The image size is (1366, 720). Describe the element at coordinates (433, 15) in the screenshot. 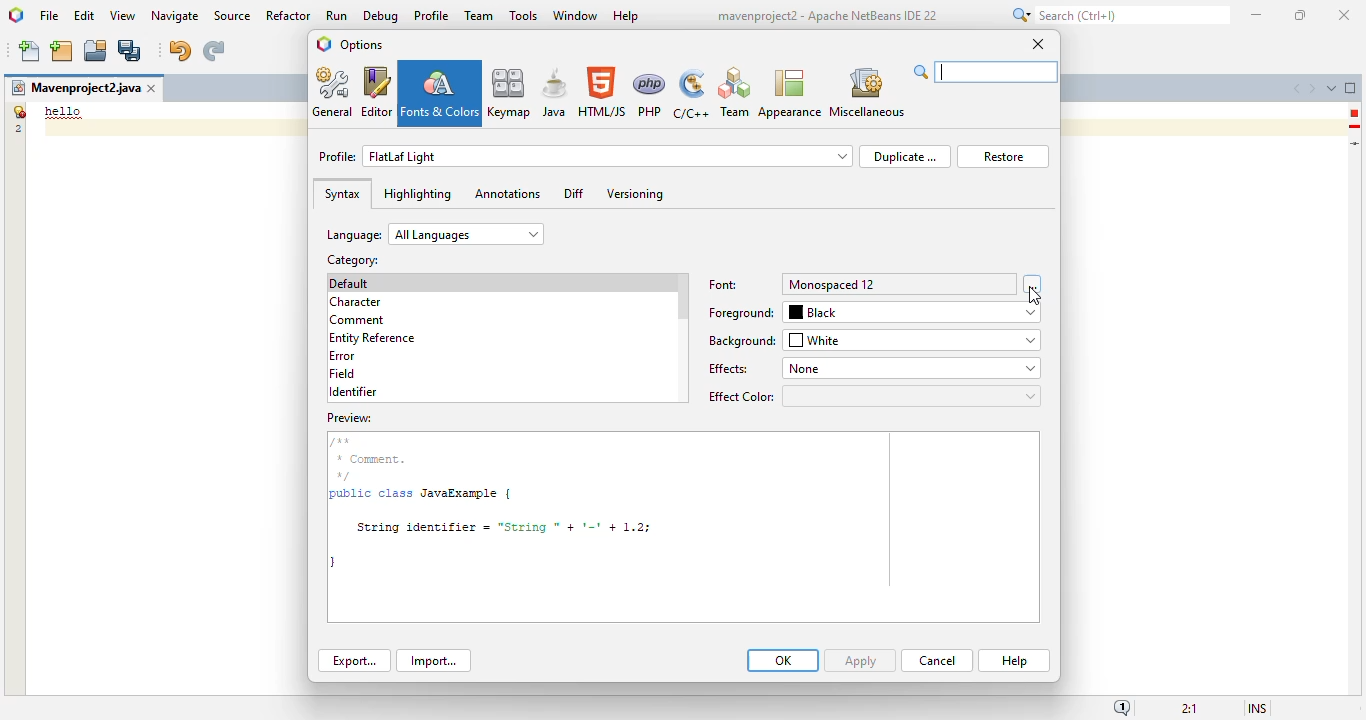

I see `profile` at that location.